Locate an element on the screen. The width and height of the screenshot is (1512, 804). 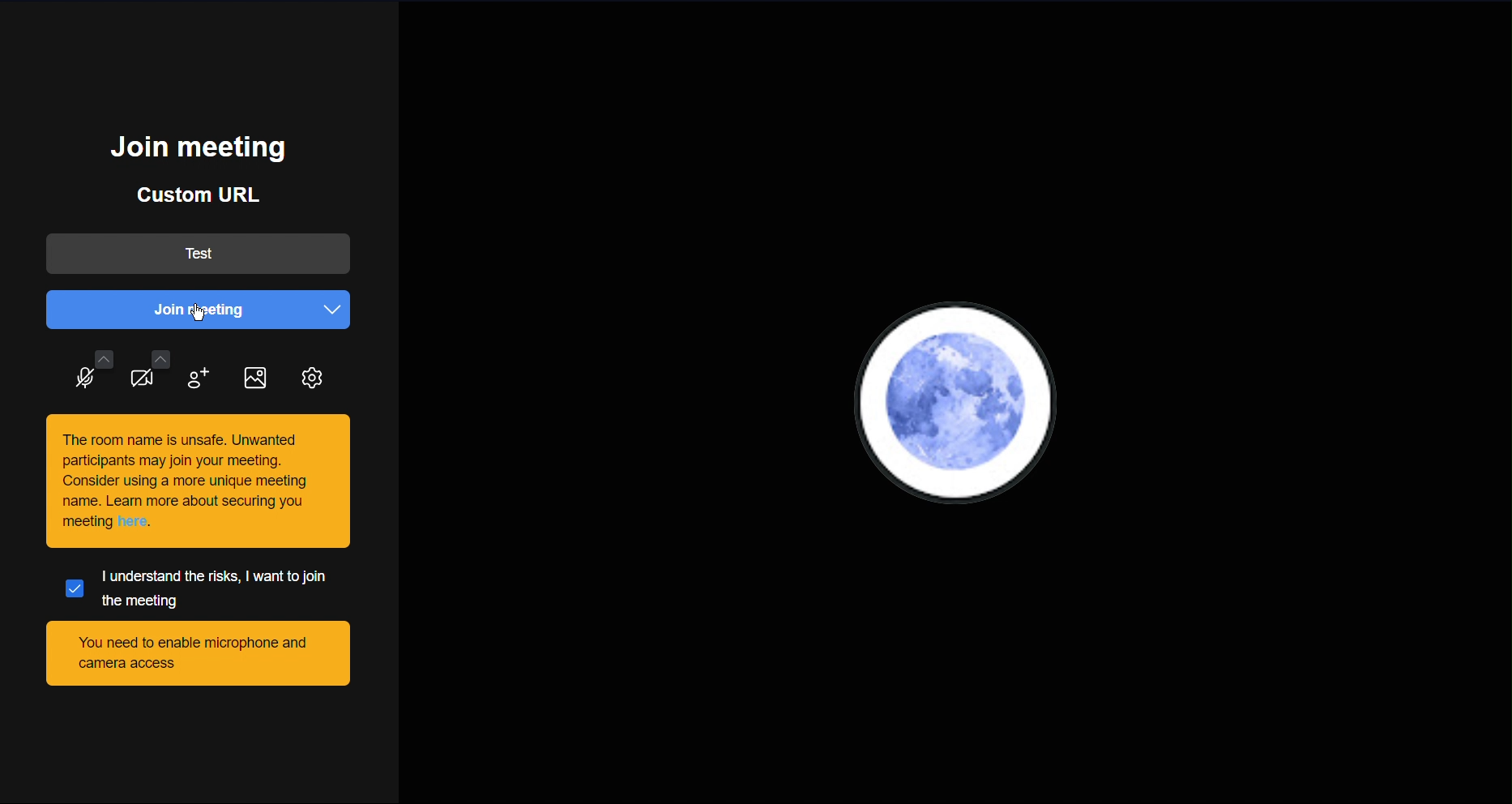
Cursor is located at coordinates (198, 316).